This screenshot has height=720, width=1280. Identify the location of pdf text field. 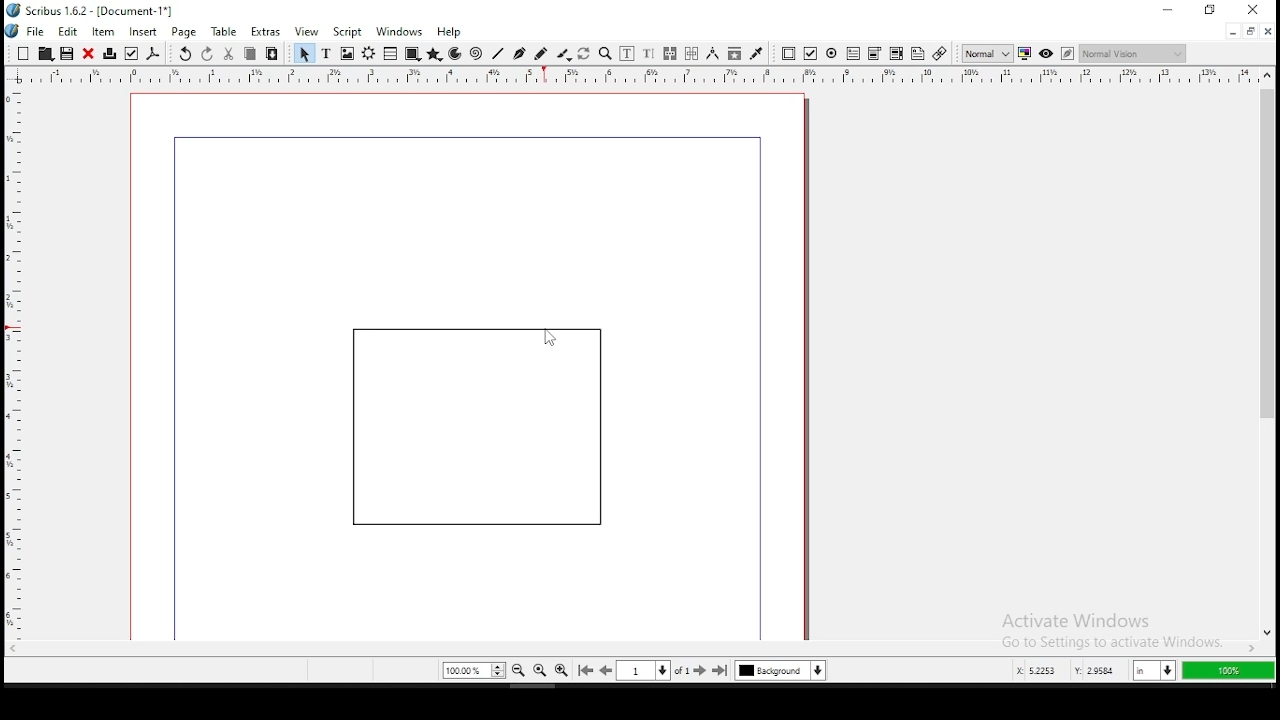
(854, 54).